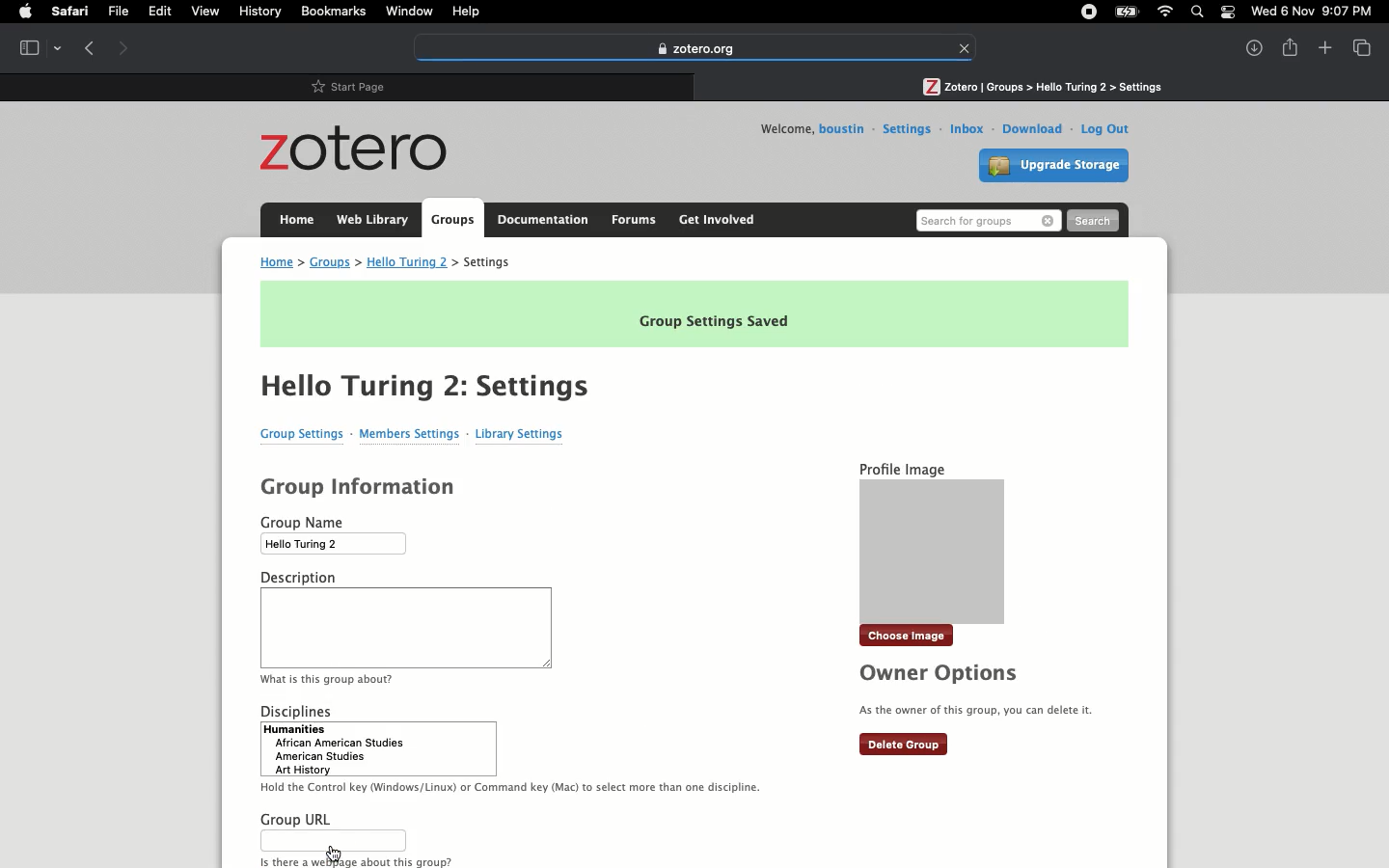  Describe the element at coordinates (694, 48) in the screenshot. I see `Zotero` at that location.